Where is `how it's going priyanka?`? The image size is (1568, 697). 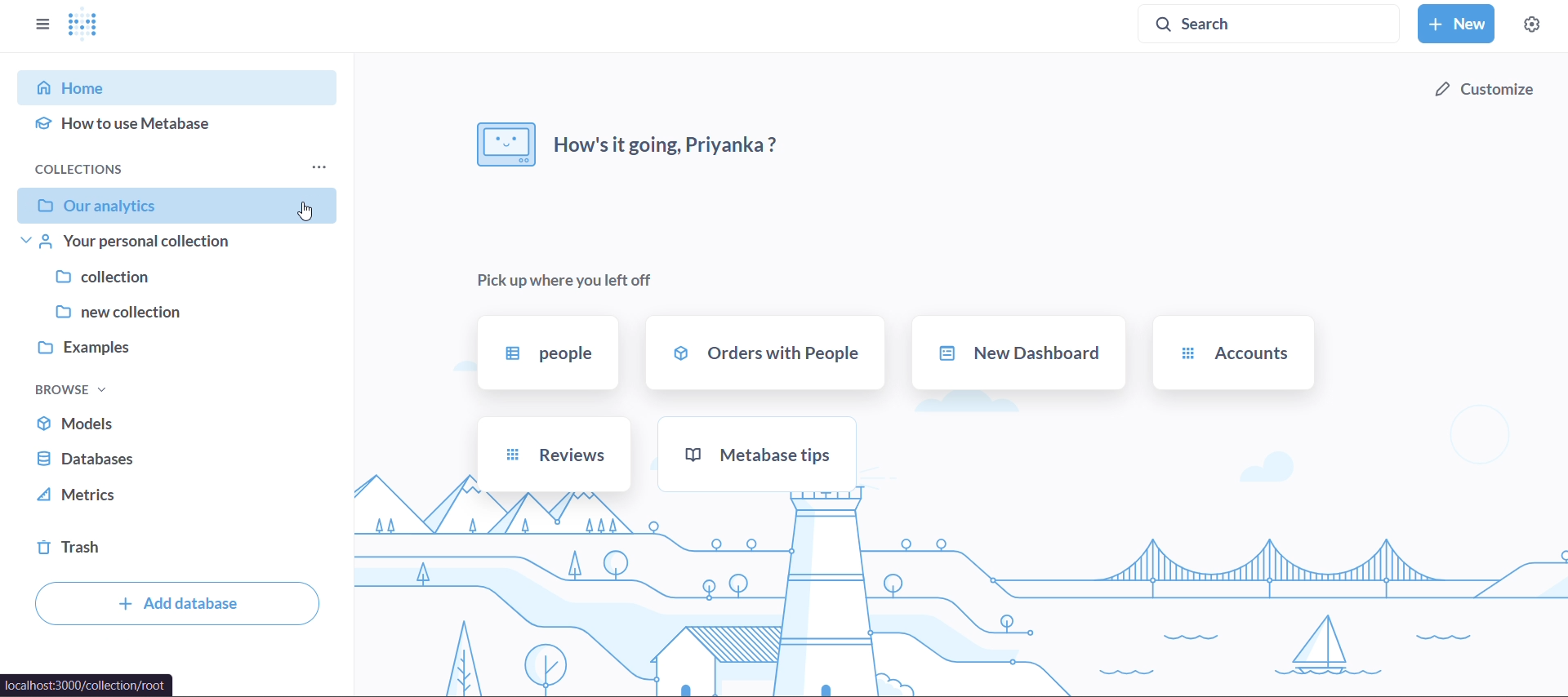 how it's going priyanka? is located at coordinates (630, 143).